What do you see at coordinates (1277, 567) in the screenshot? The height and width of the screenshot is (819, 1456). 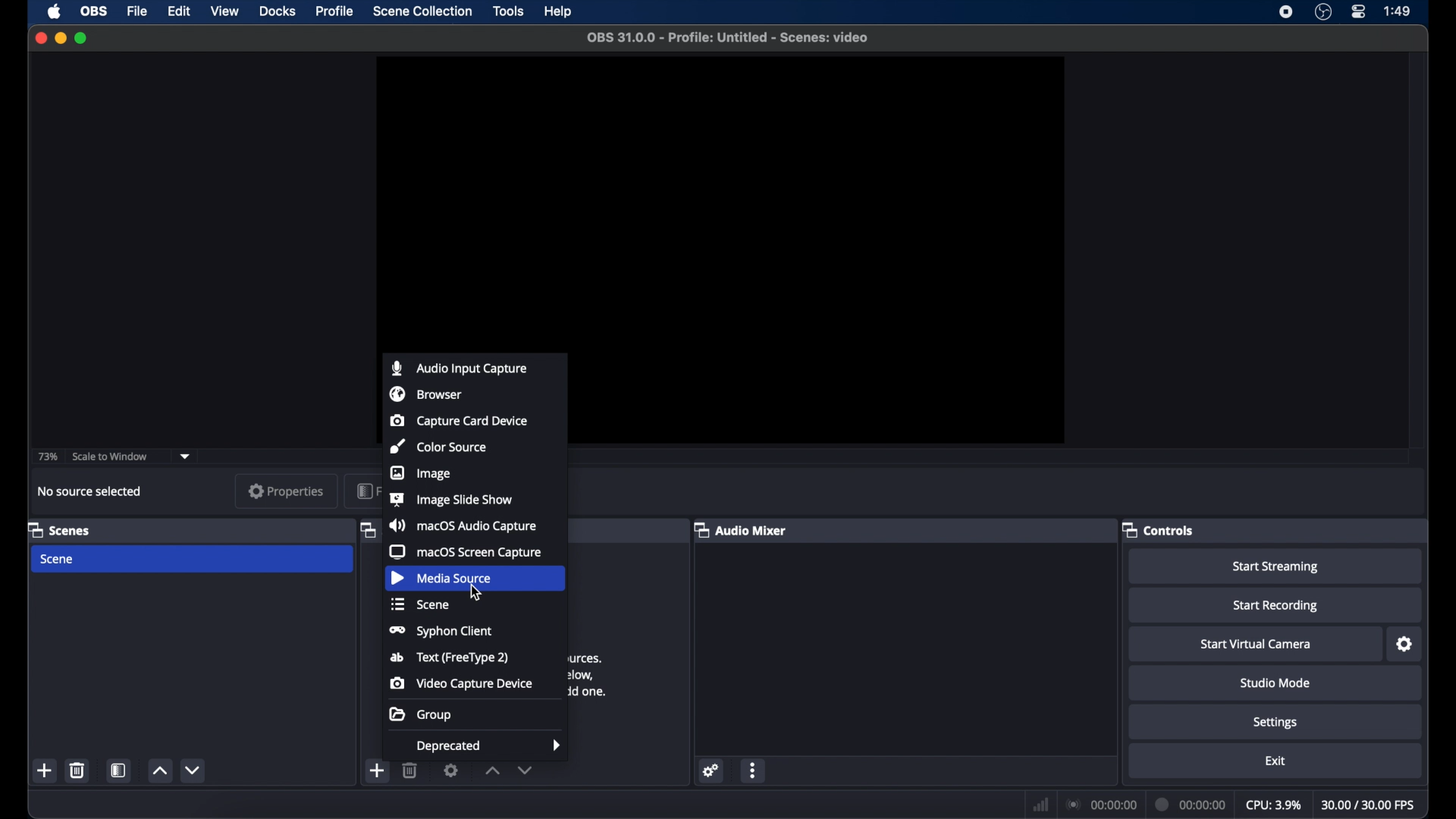 I see `start streaming` at bounding box center [1277, 567].